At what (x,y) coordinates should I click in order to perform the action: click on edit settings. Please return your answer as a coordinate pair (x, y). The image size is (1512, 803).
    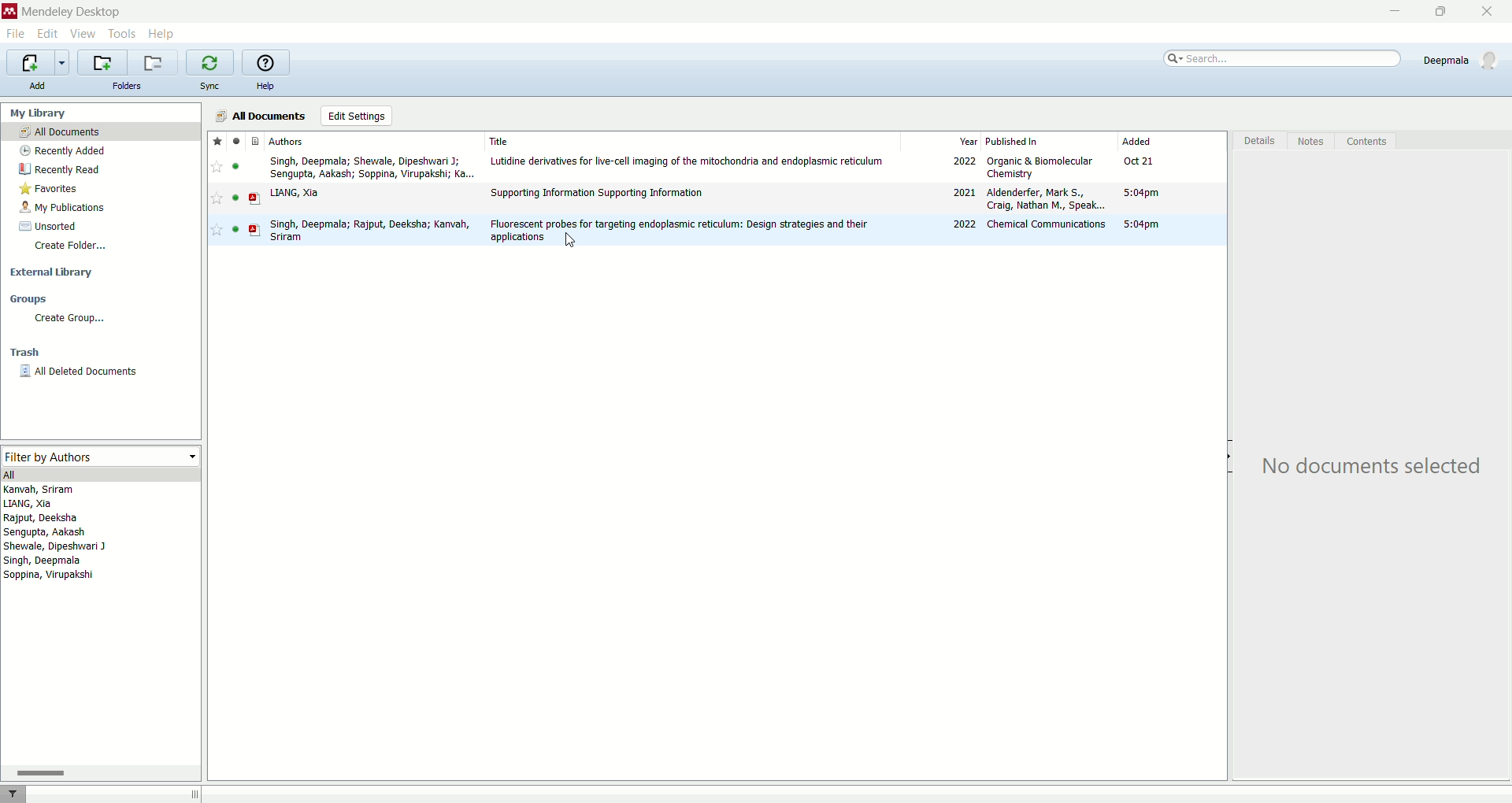
    Looking at the image, I should click on (356, 116).